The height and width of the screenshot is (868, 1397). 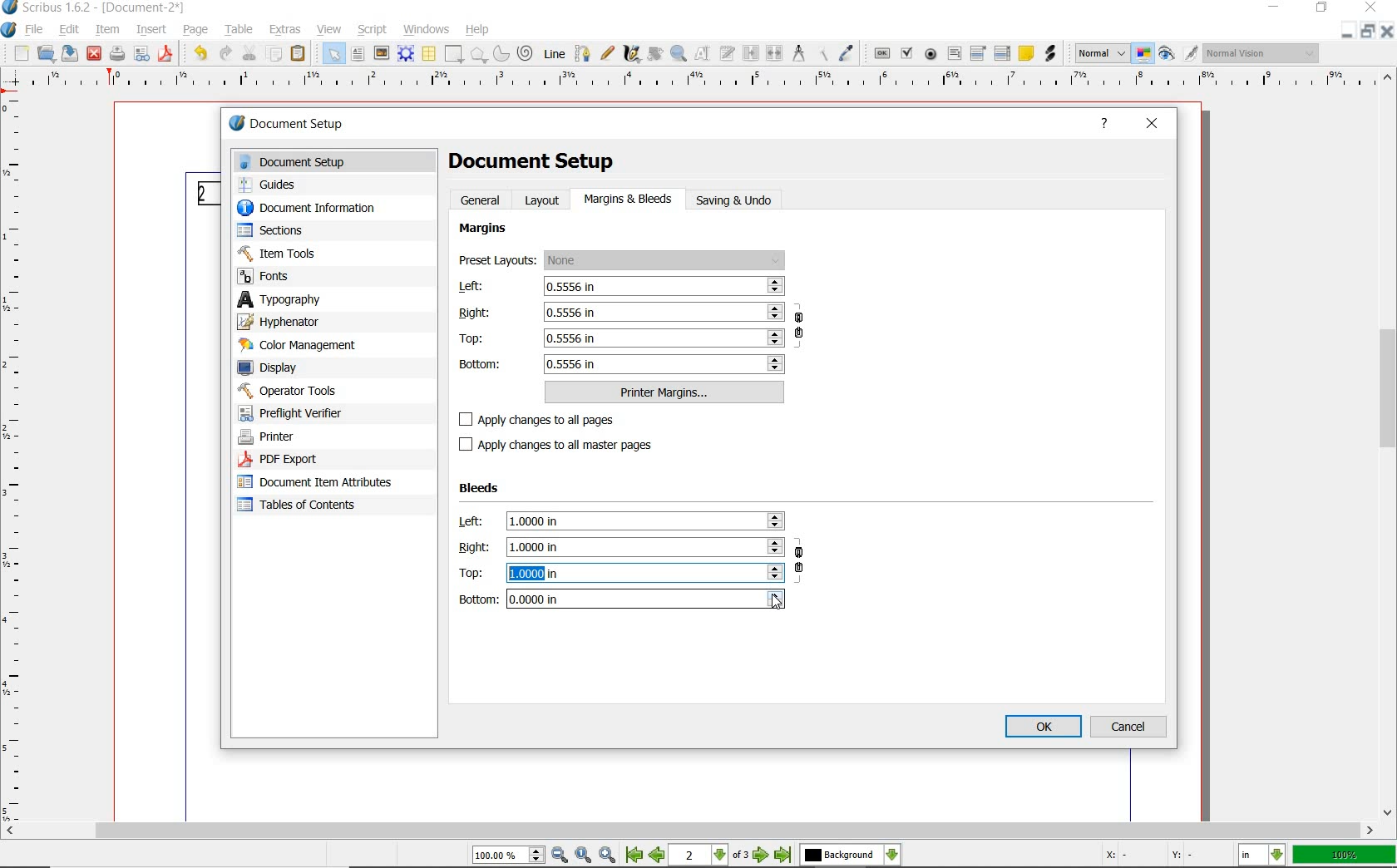 What do you see at coordinates (303, 347) in the screenshot?
I see `color management` at bounding box center [303, 347].